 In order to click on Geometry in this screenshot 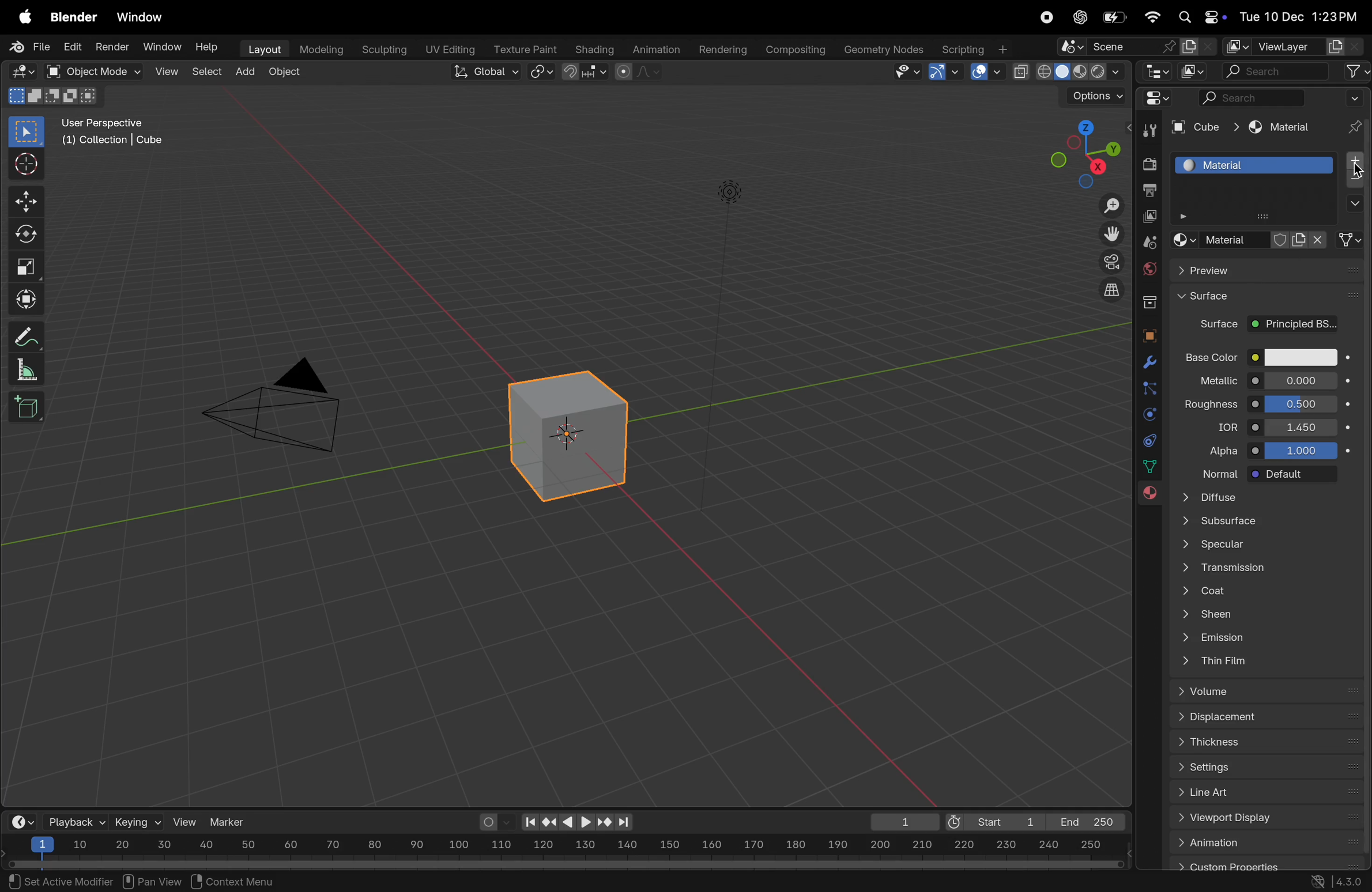, I will do `click(885, 50)`.